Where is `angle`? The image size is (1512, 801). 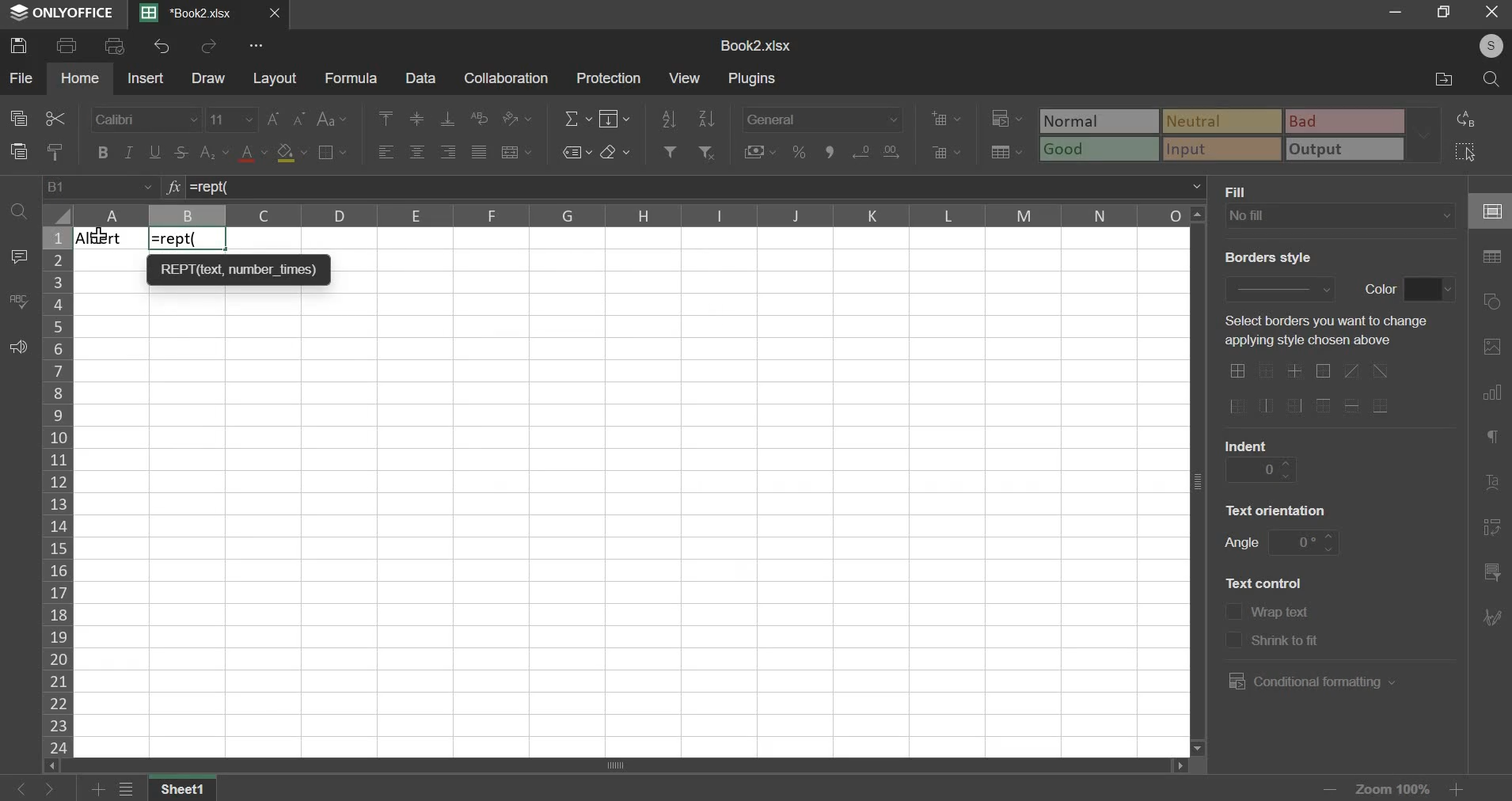
angle is located at coordinates (1239, 542).